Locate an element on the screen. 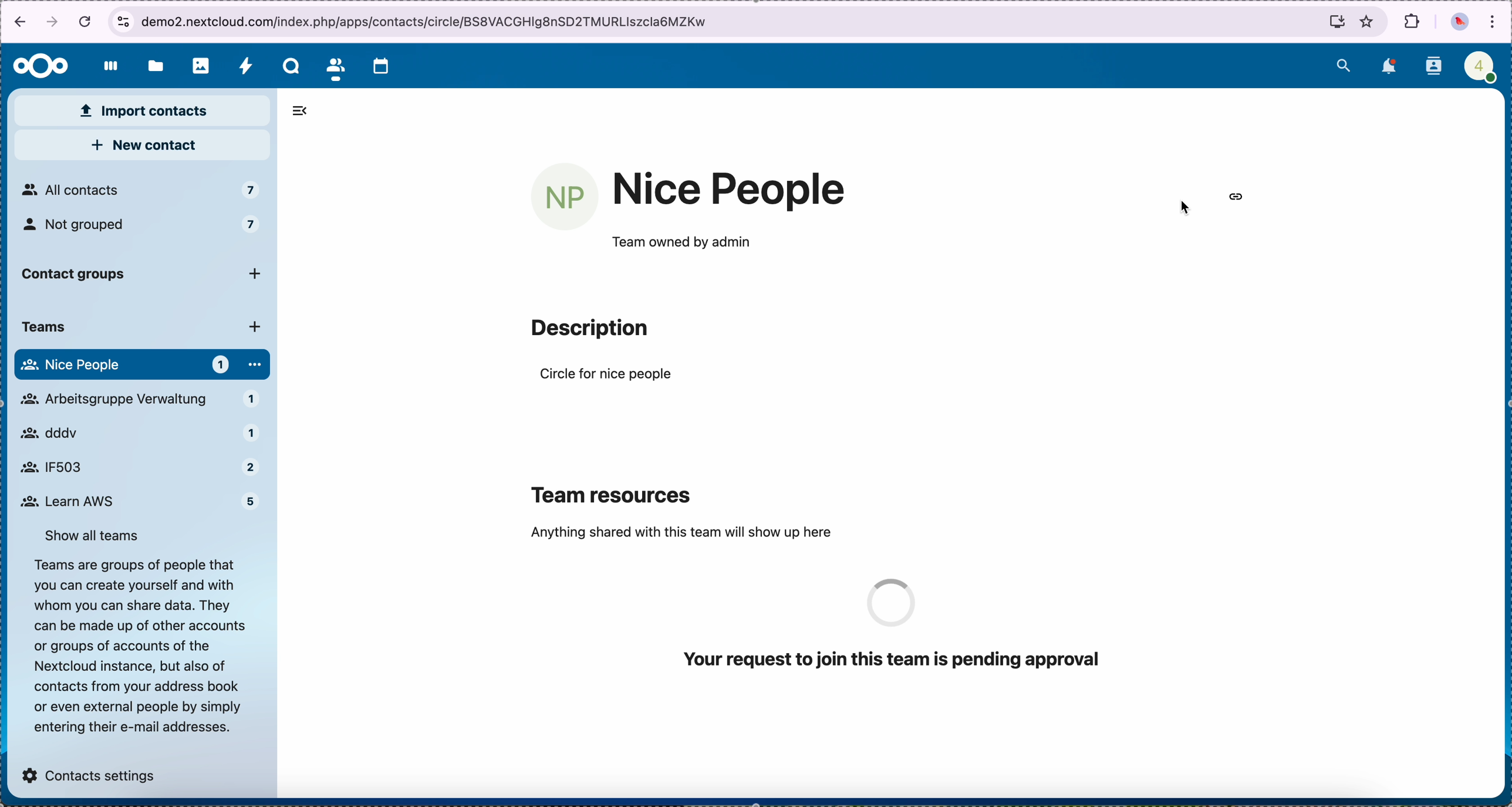 The image size is (1512, 807). customize and control Google Chrome is located at coordinates (1494, 21).